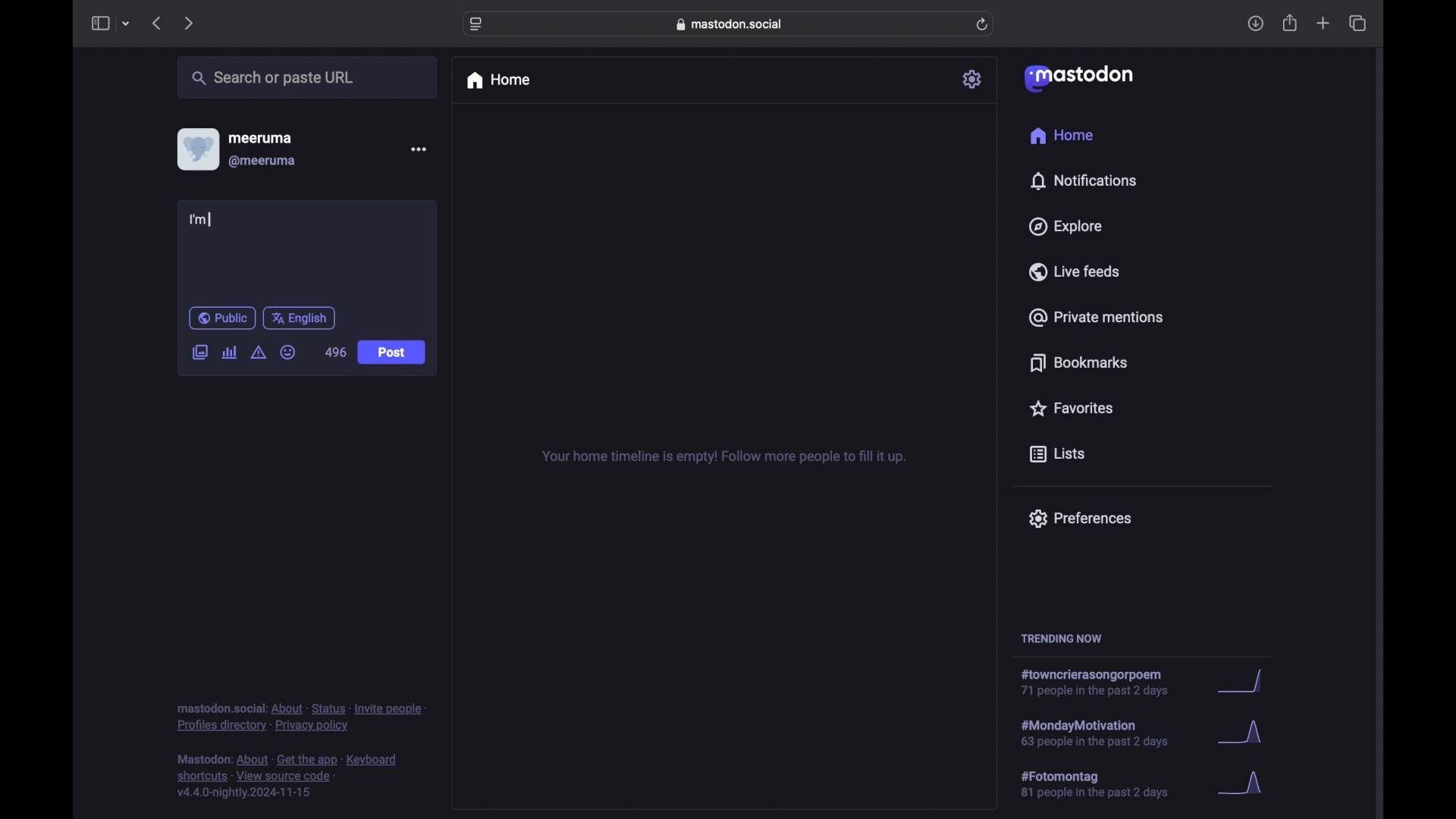 Image resolution: width=1456 pixels, height=819 pixels. What do you see at coordinates (730, 24) in the screenshot?
I see `web address` at bounding box center [730, 24].